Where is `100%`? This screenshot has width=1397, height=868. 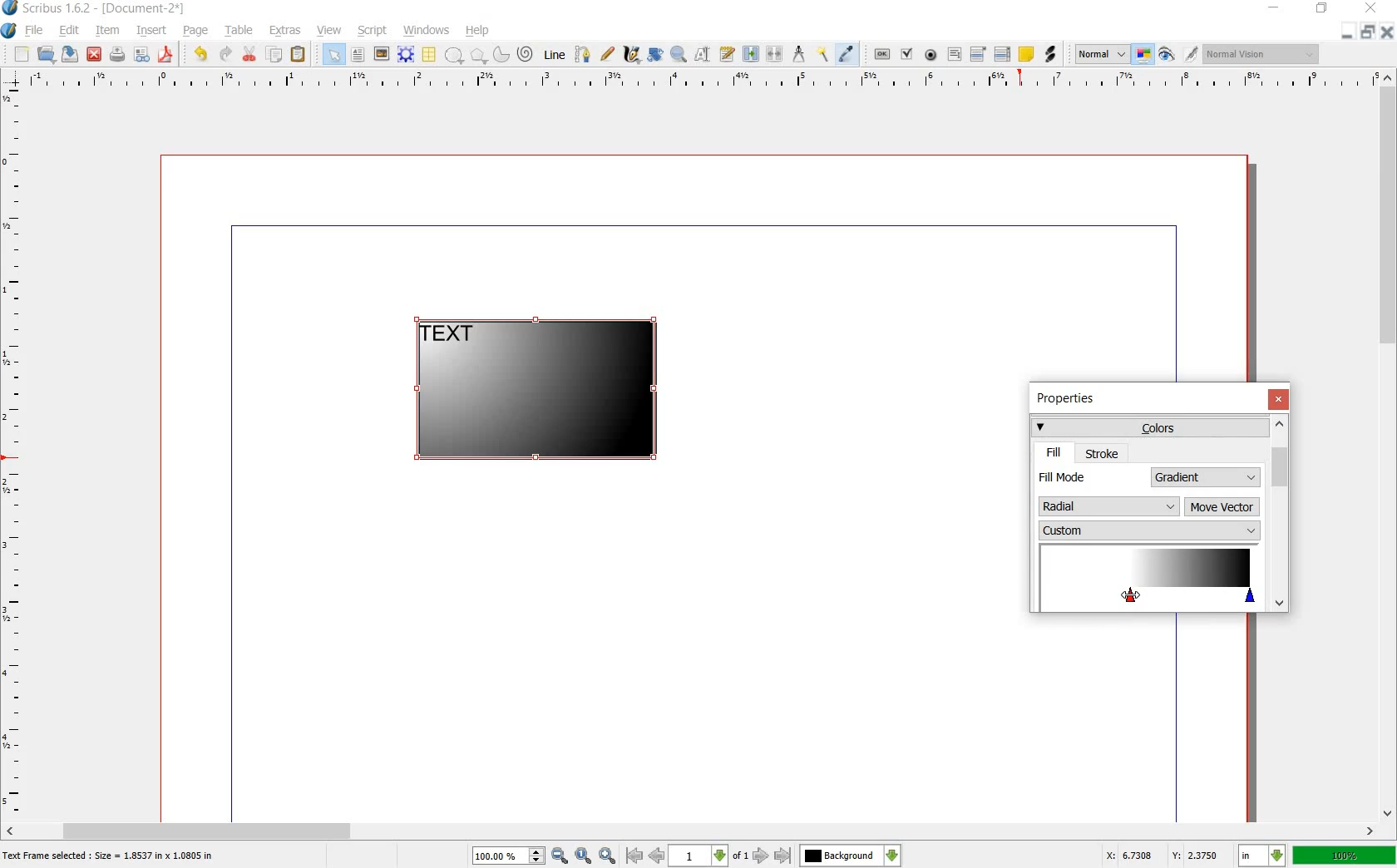
100% is located at coordinates (1345, 855).